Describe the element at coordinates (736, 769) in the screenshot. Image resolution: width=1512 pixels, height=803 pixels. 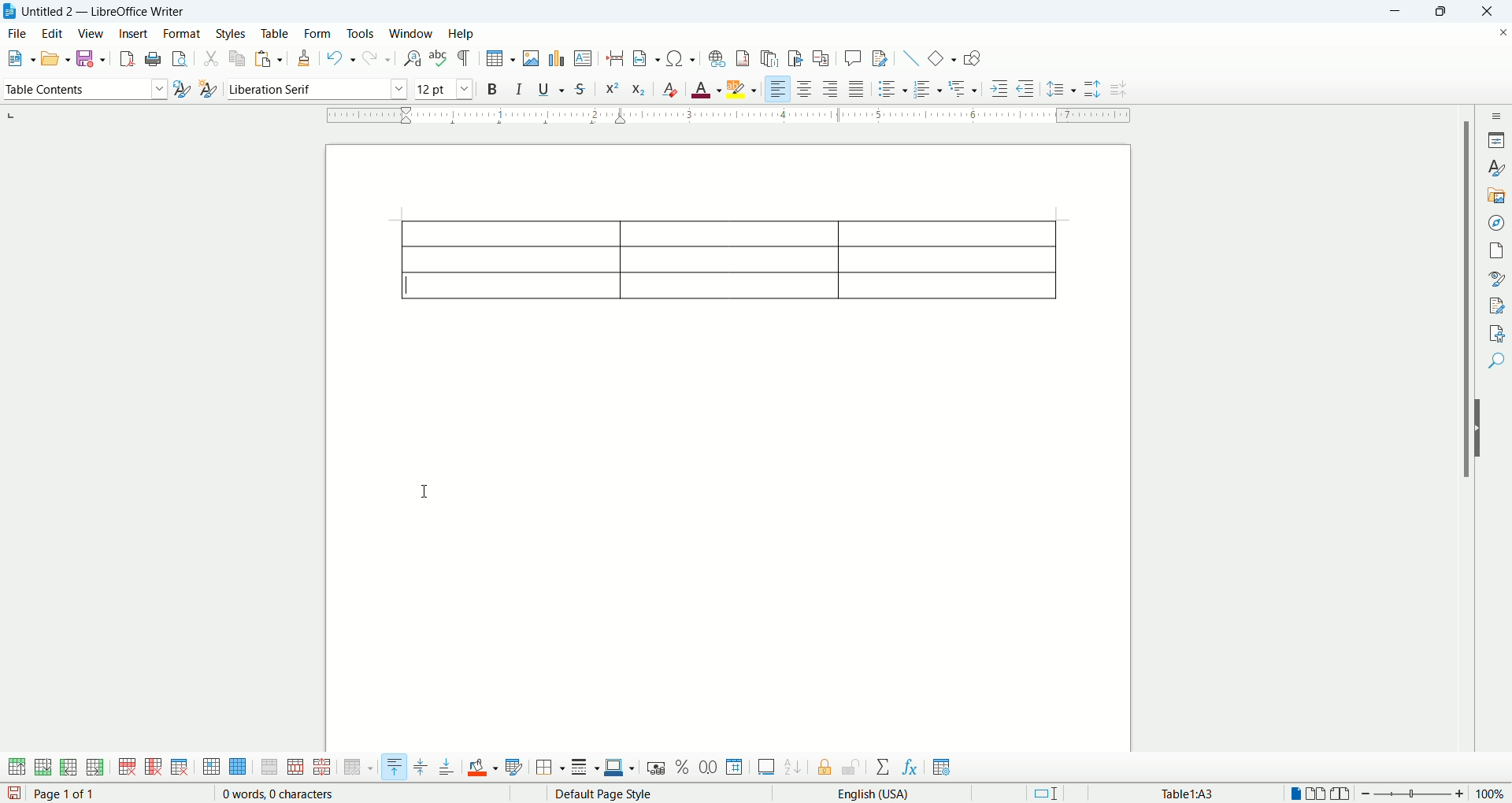
I see `number format` at that location.